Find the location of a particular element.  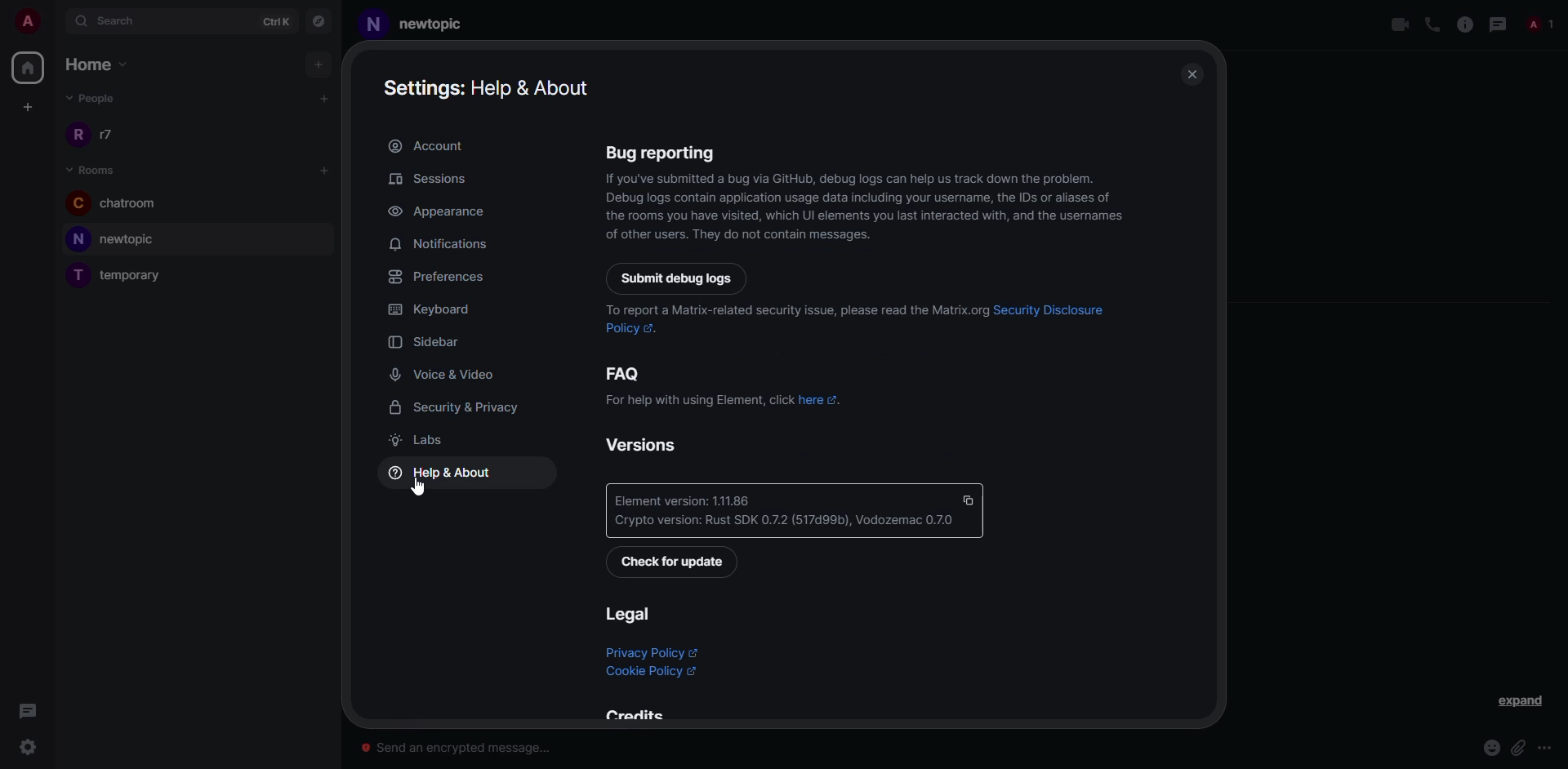

add is located at coordinates (322, 170).